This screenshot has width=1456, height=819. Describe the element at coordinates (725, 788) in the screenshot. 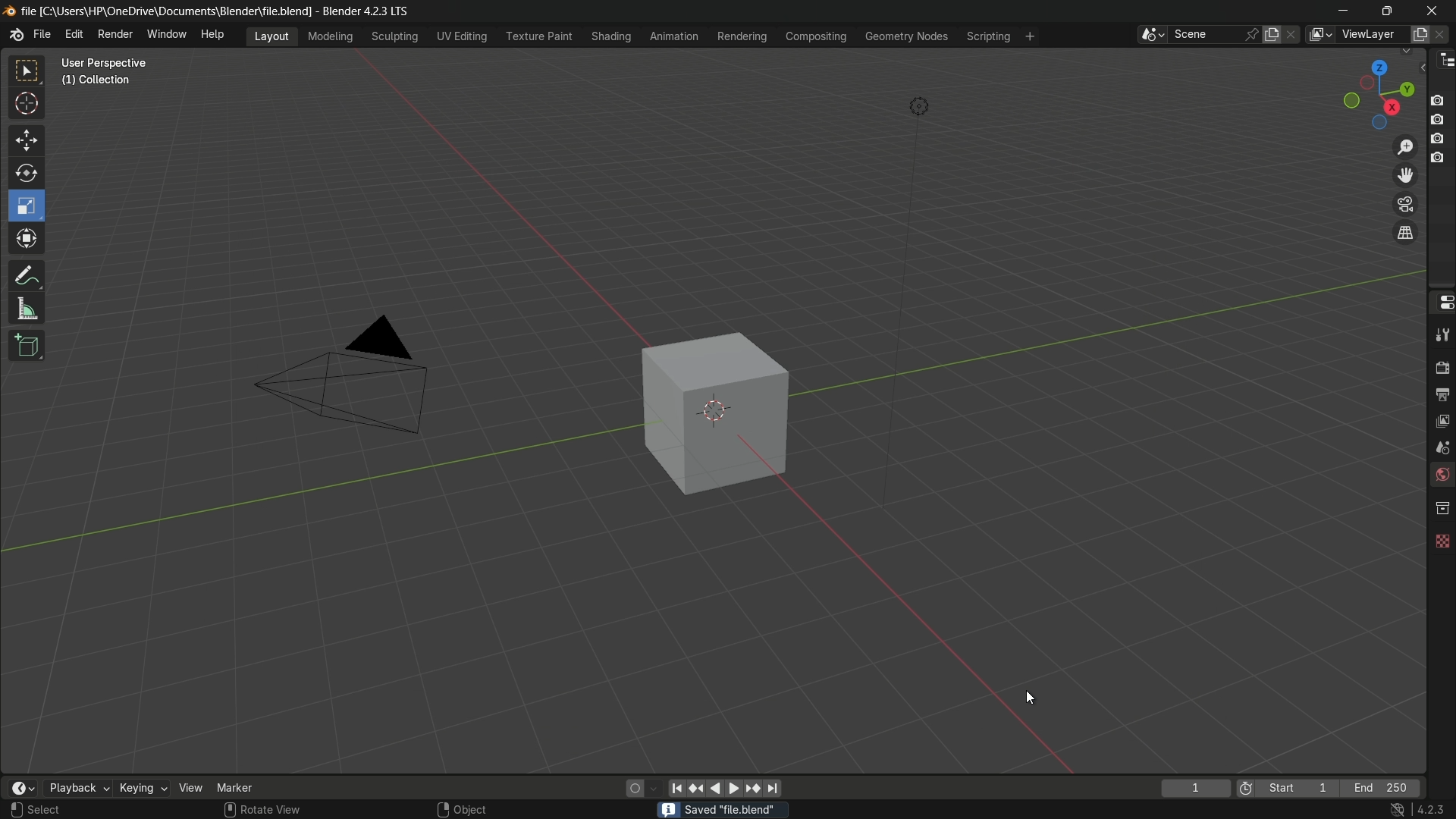

I see `play animation` at that location.